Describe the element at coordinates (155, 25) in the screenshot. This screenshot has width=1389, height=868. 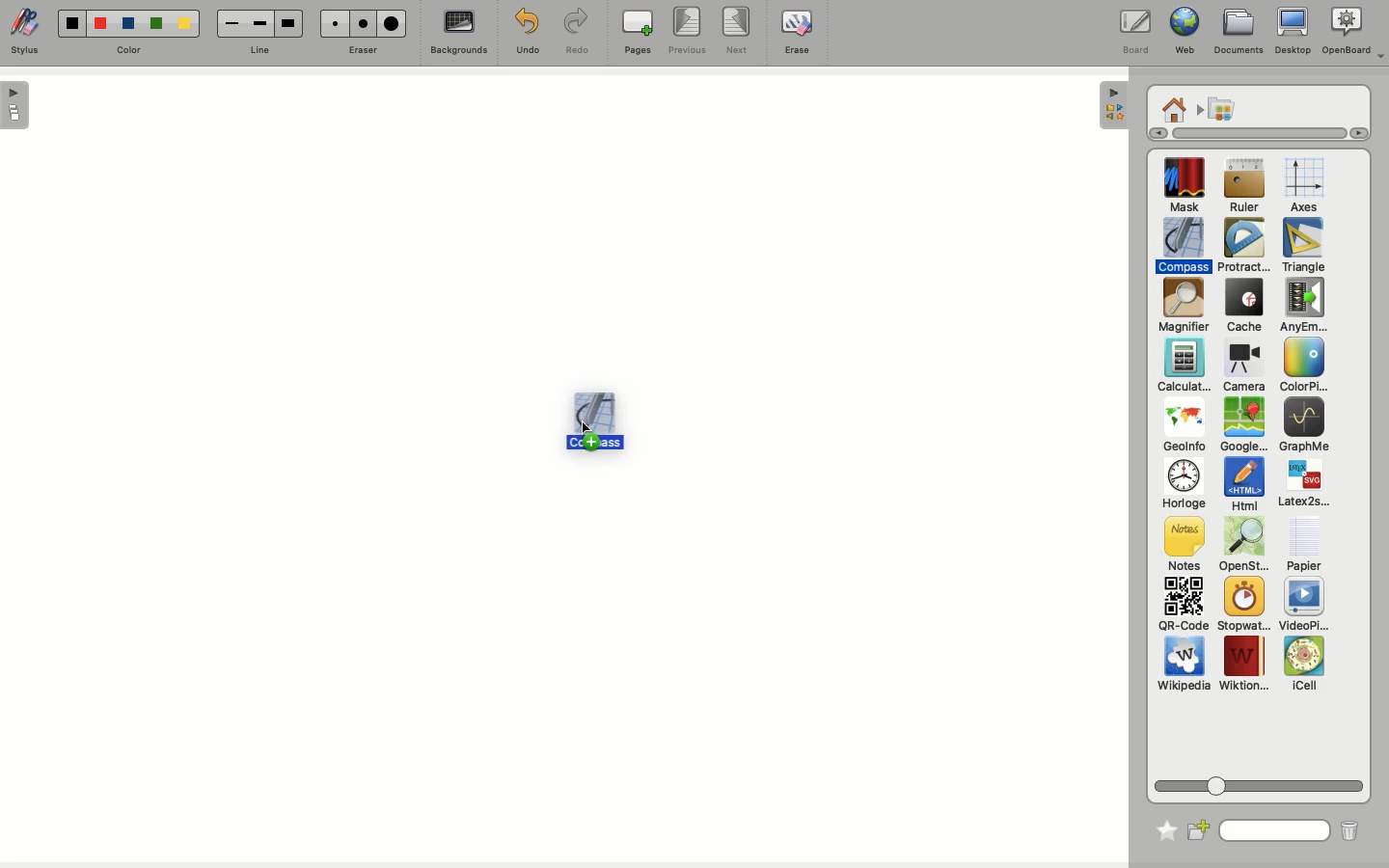
I see `color 4` at that location.